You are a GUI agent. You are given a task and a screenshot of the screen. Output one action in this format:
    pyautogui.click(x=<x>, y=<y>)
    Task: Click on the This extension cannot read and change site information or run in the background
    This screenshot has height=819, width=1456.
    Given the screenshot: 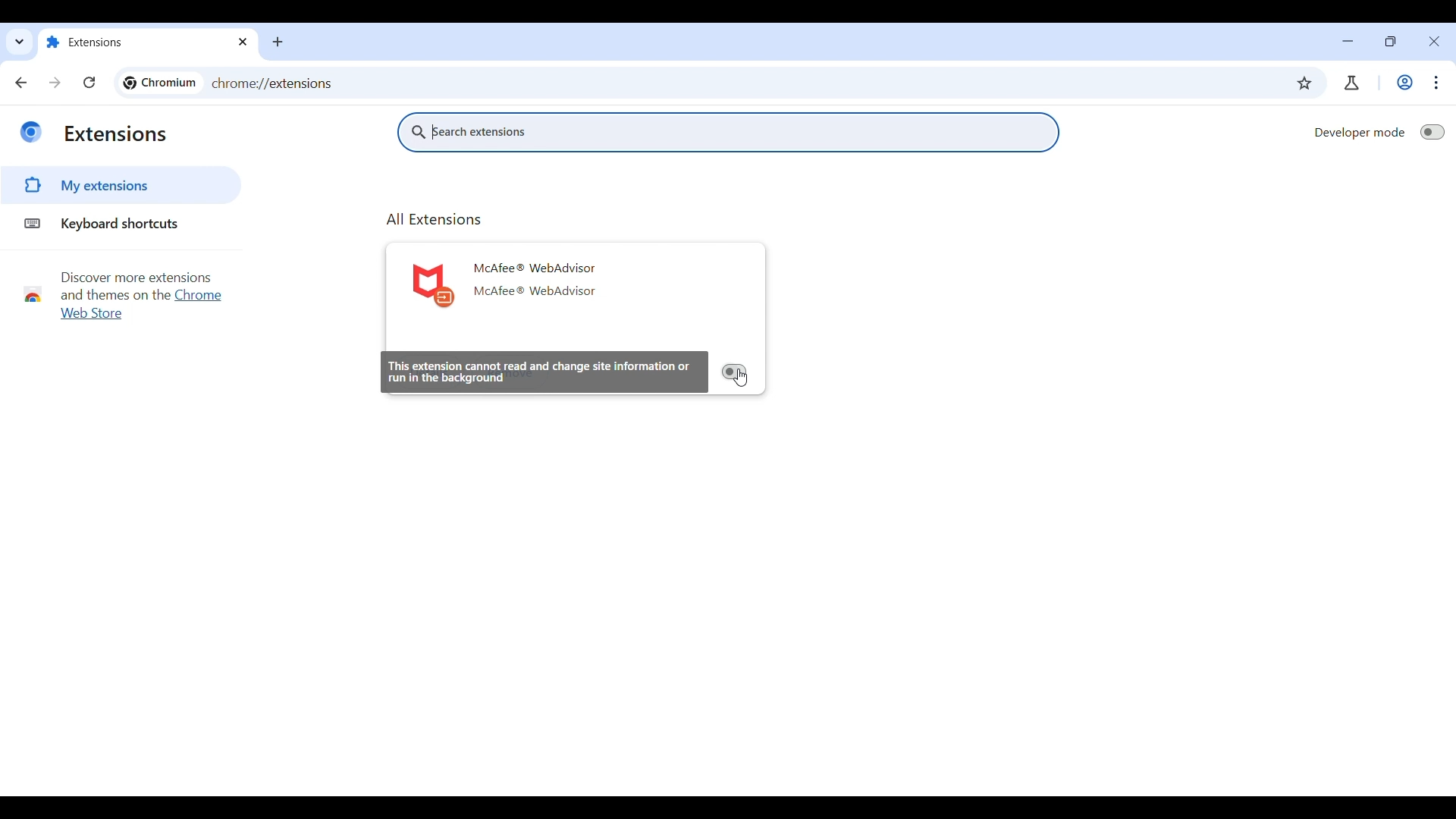 What is the action you would take?
    pyautogui.click(x=545, y=373)
    